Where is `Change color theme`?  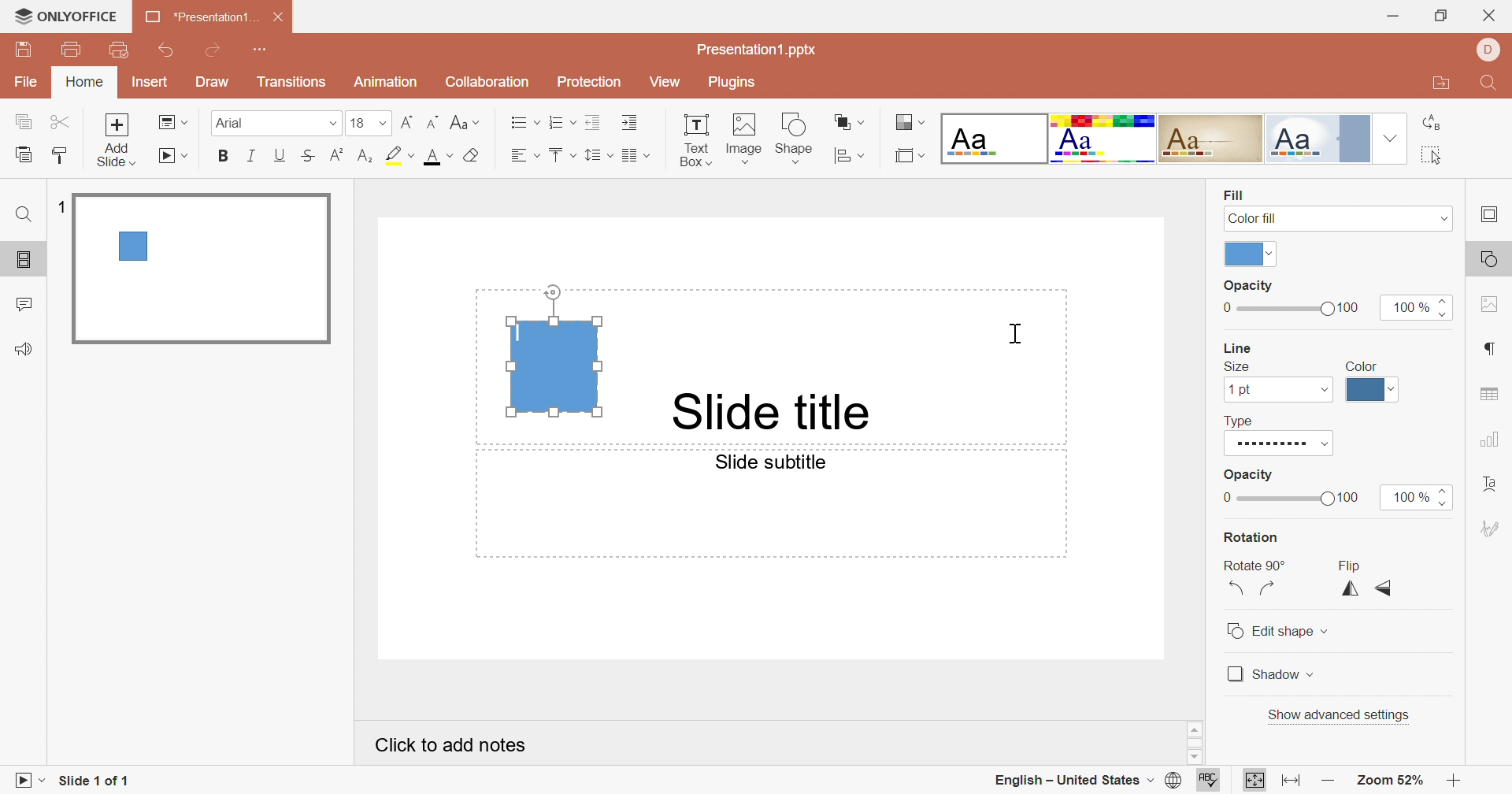 Change color theme is located at coordinates (908, 123).